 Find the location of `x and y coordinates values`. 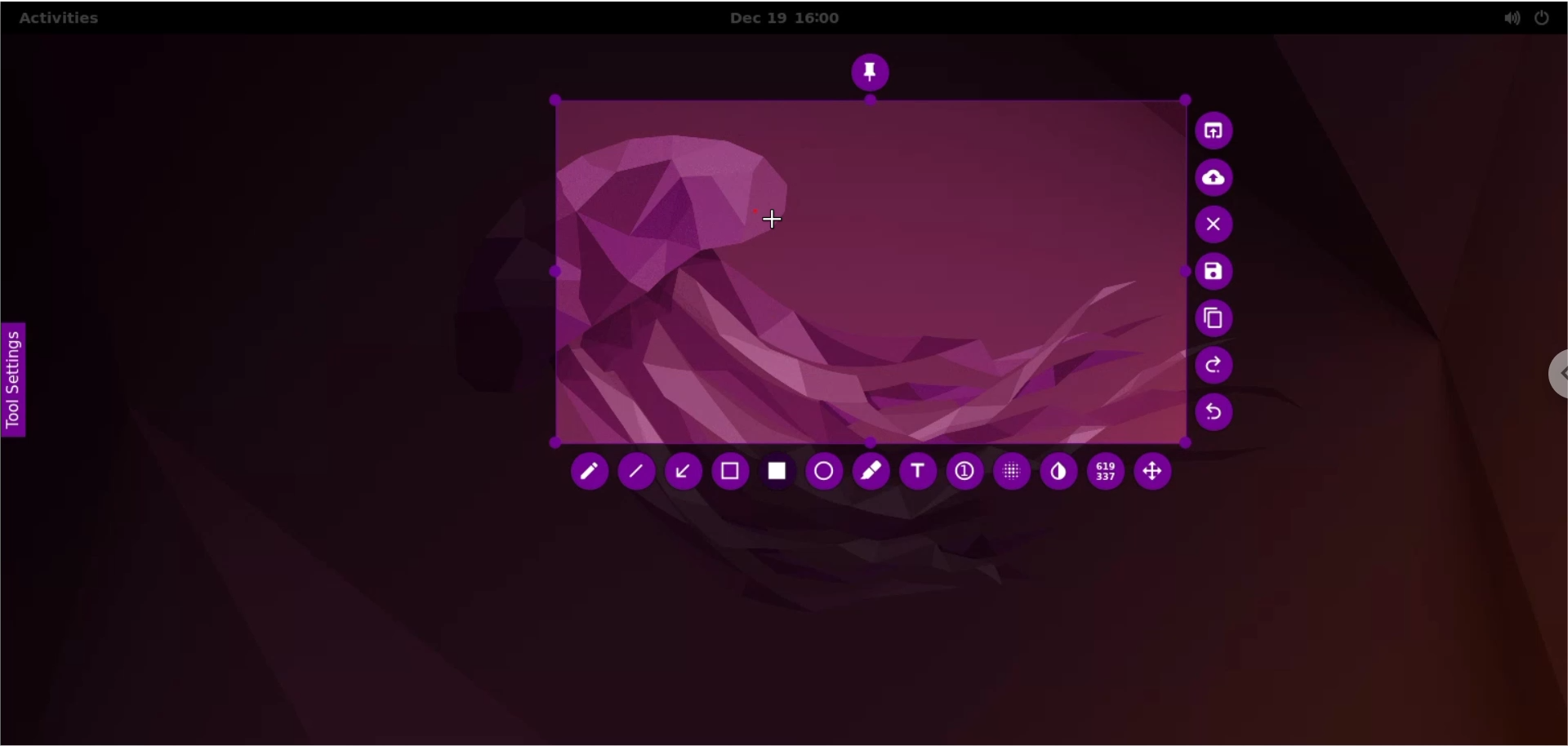

x and y coordinates values is located at coordinates (1106, 474).